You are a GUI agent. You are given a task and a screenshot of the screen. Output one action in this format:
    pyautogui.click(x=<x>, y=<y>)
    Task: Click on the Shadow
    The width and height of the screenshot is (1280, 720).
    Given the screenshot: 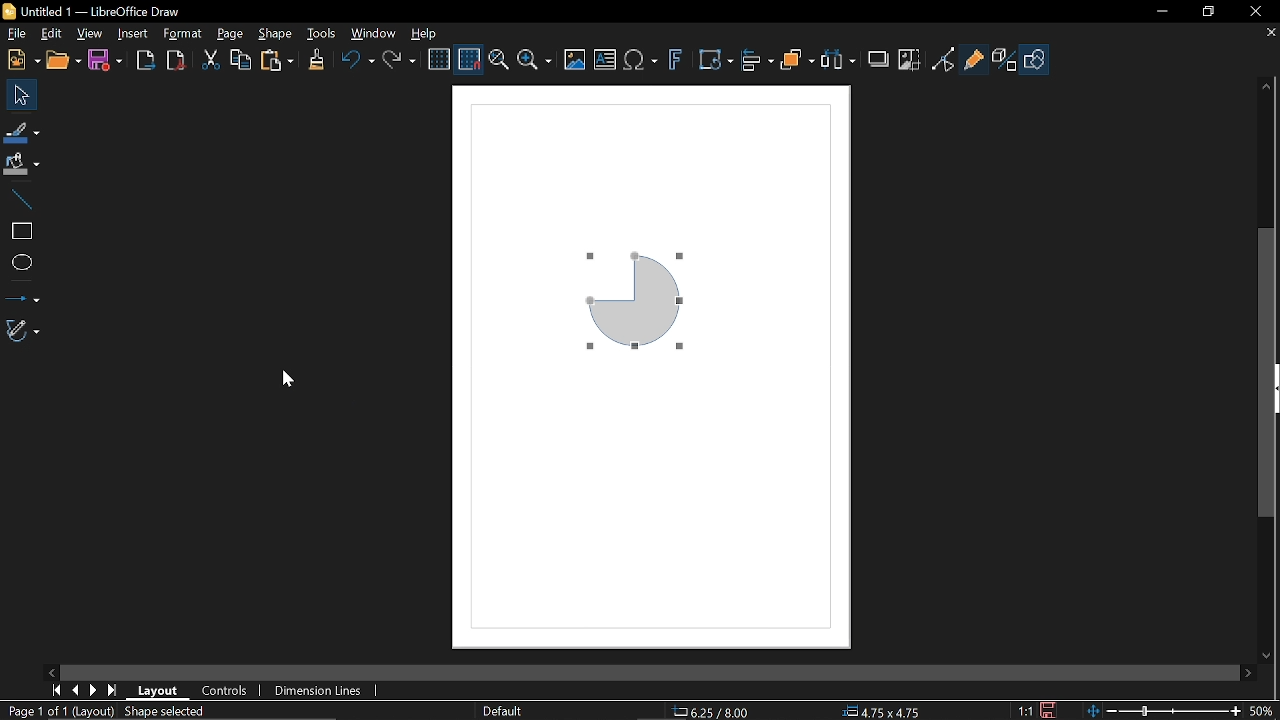 What is the action you would take?
    pyautogui.click(x=881, y=60)
    